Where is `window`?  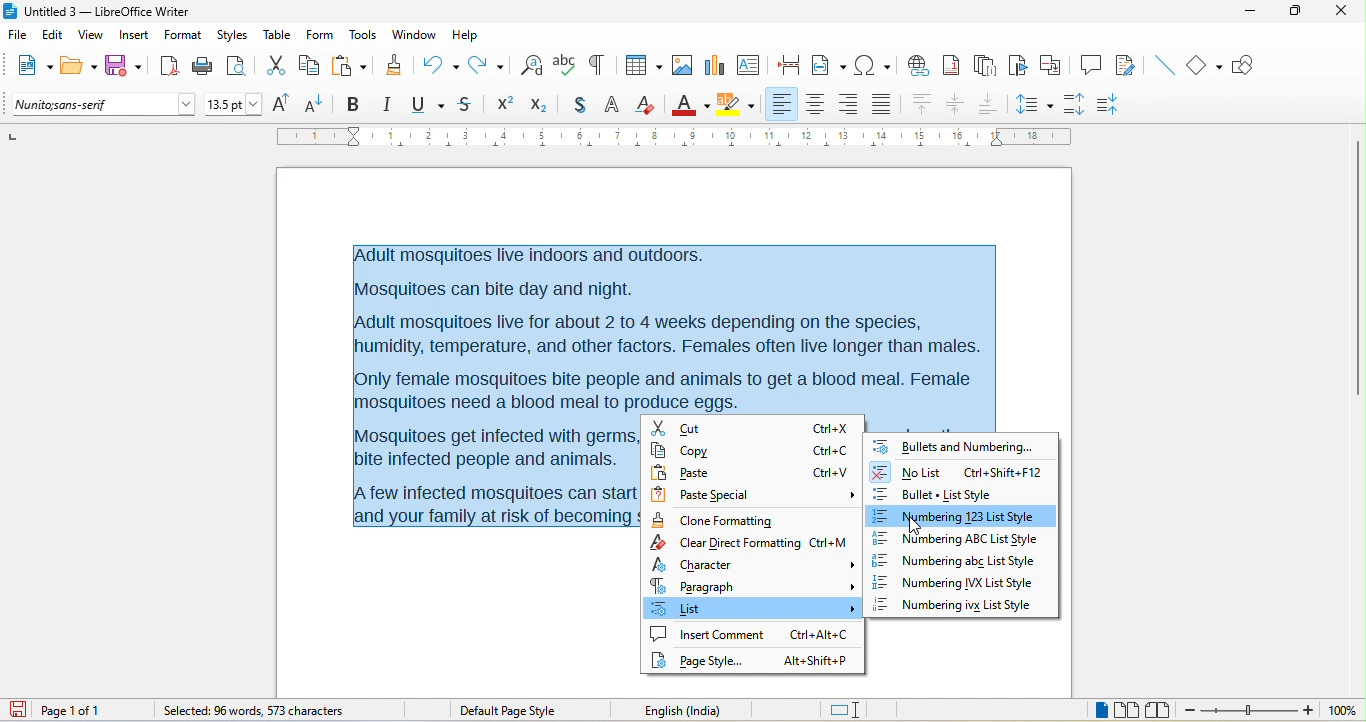
window is located at coordinates (413, 37).